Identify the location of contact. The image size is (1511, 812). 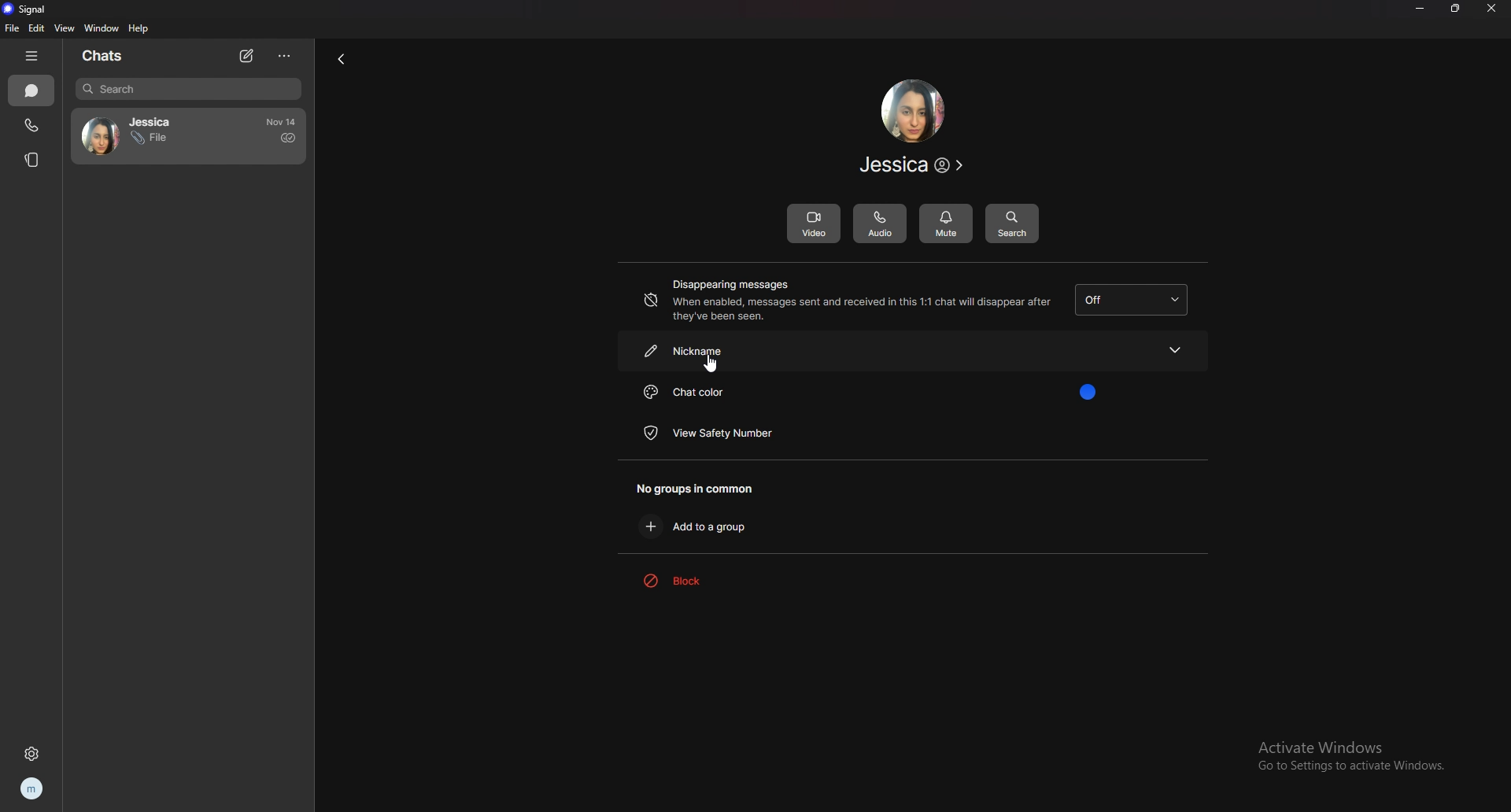
(136, 134).